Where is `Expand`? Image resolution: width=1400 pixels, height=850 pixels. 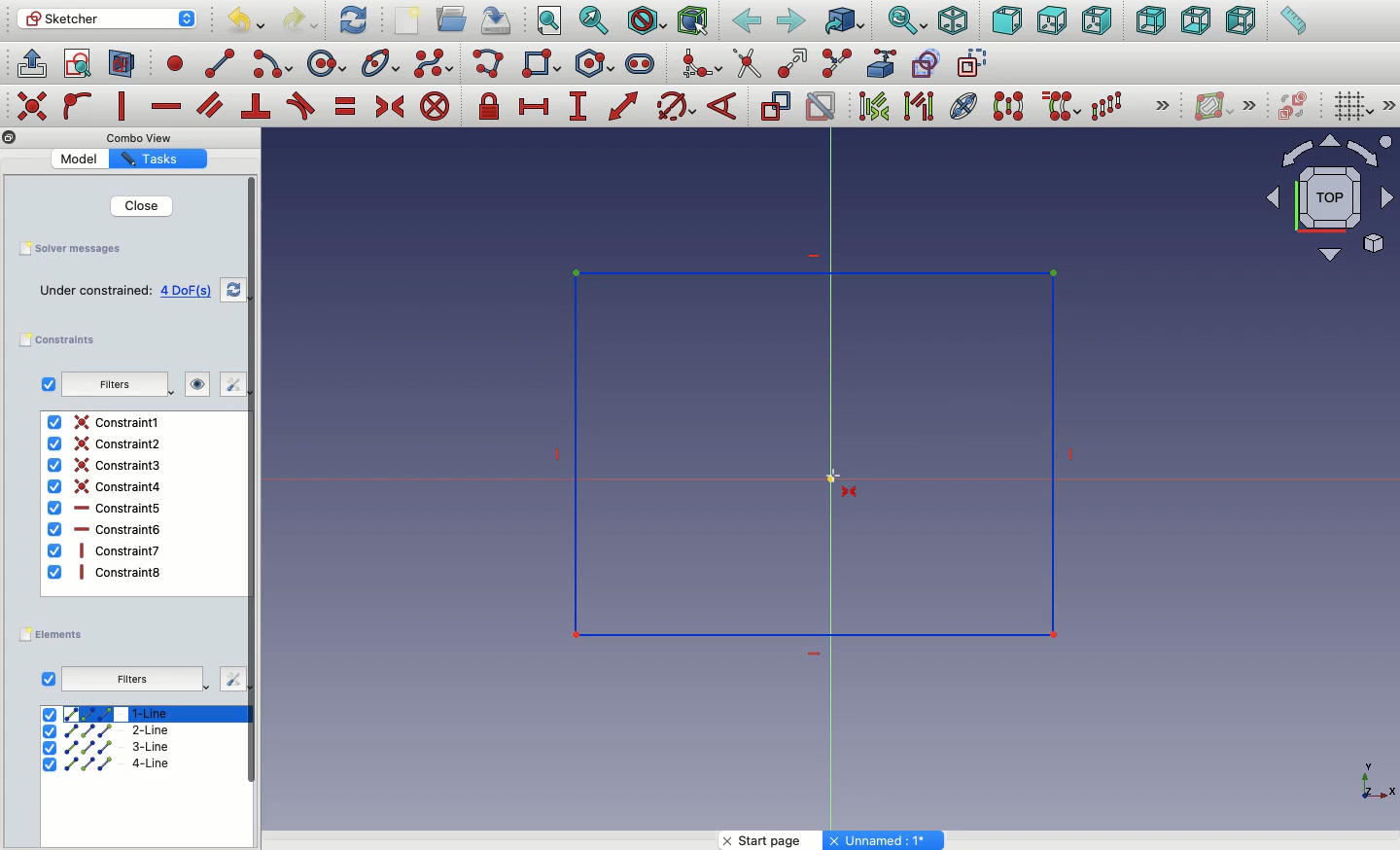 Expand is located at coordinates (1390, 105).